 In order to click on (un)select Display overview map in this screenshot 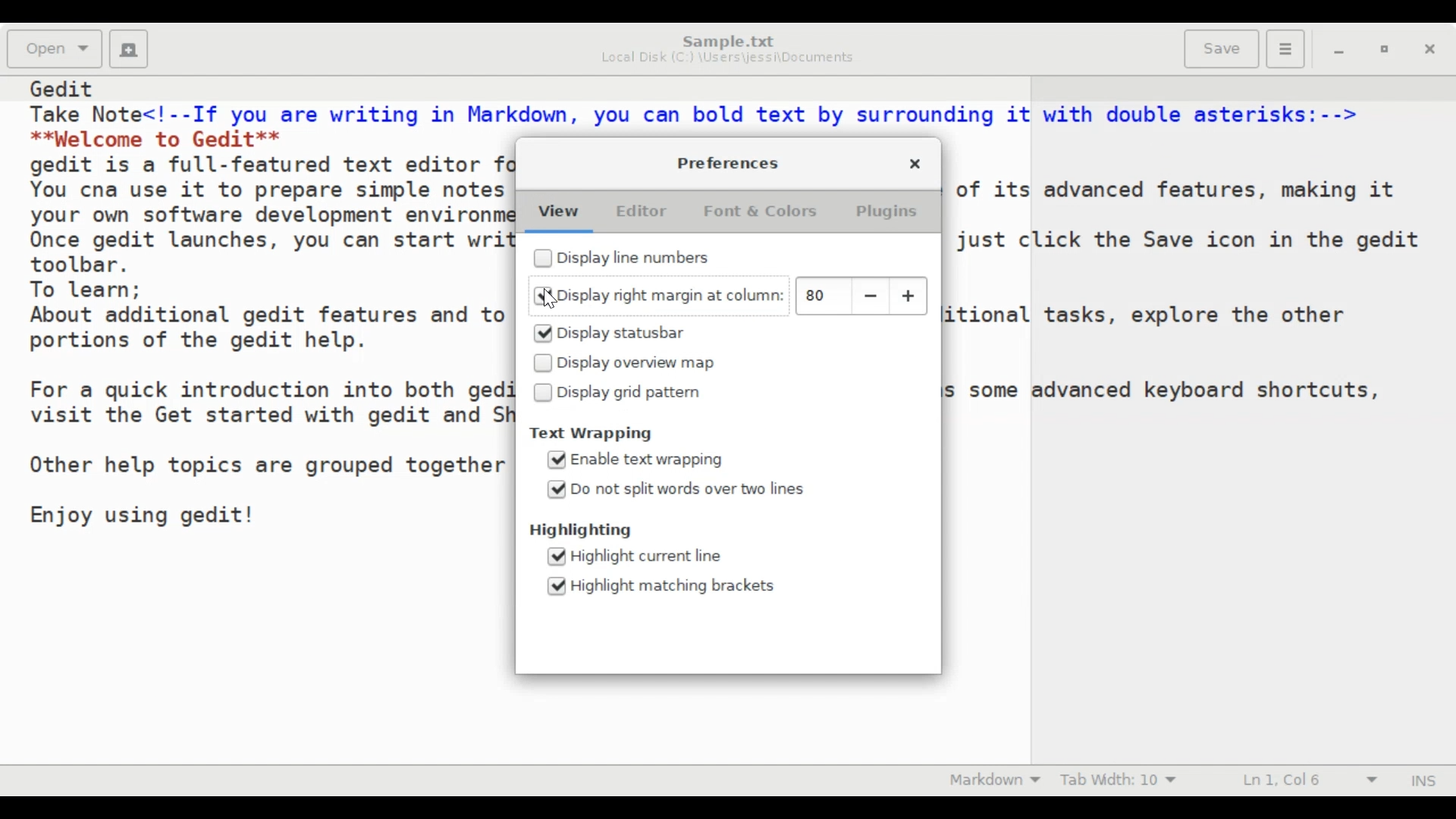, I will do `click(626, 363)`.